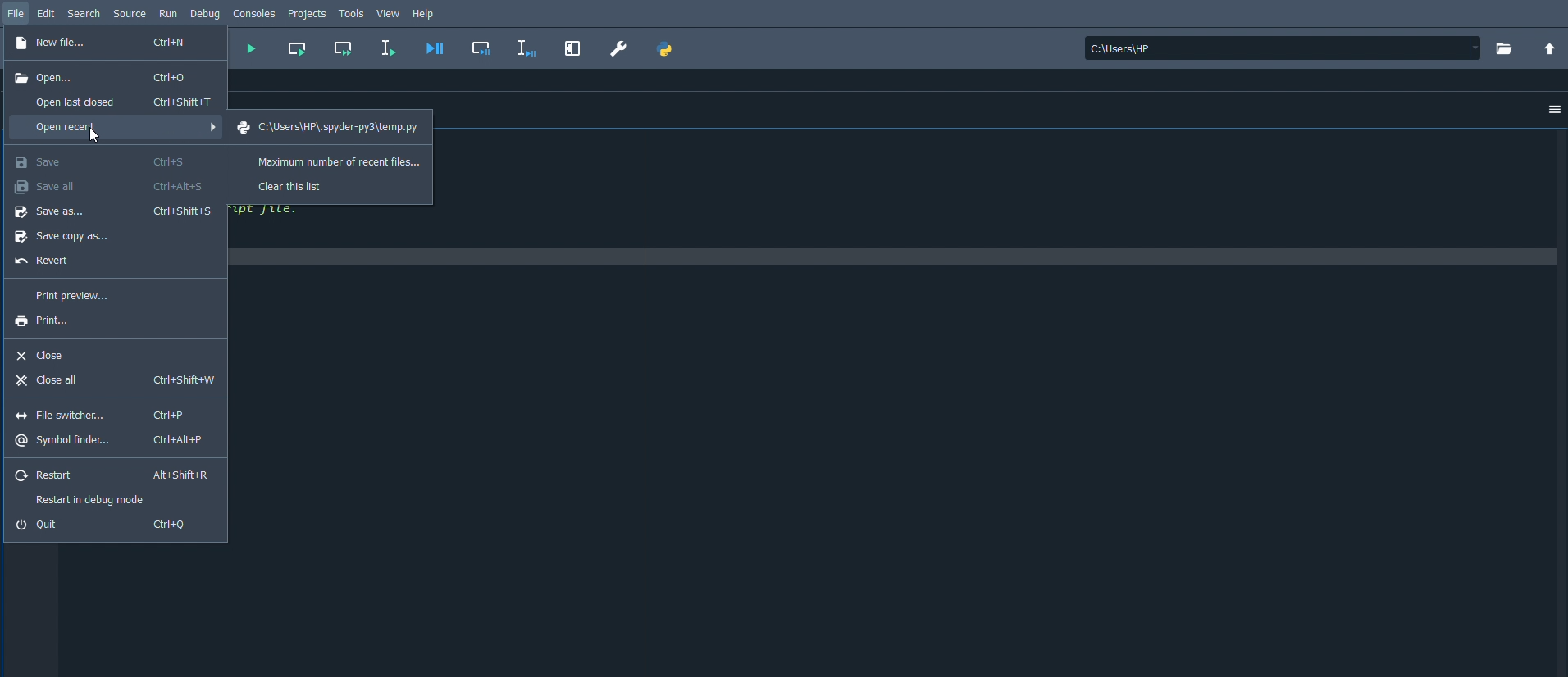 This screenshot has height=677, width=1568. Describe the element at coordinates (112, 441) in the screenshot. I see `Symbol finder` at that location.